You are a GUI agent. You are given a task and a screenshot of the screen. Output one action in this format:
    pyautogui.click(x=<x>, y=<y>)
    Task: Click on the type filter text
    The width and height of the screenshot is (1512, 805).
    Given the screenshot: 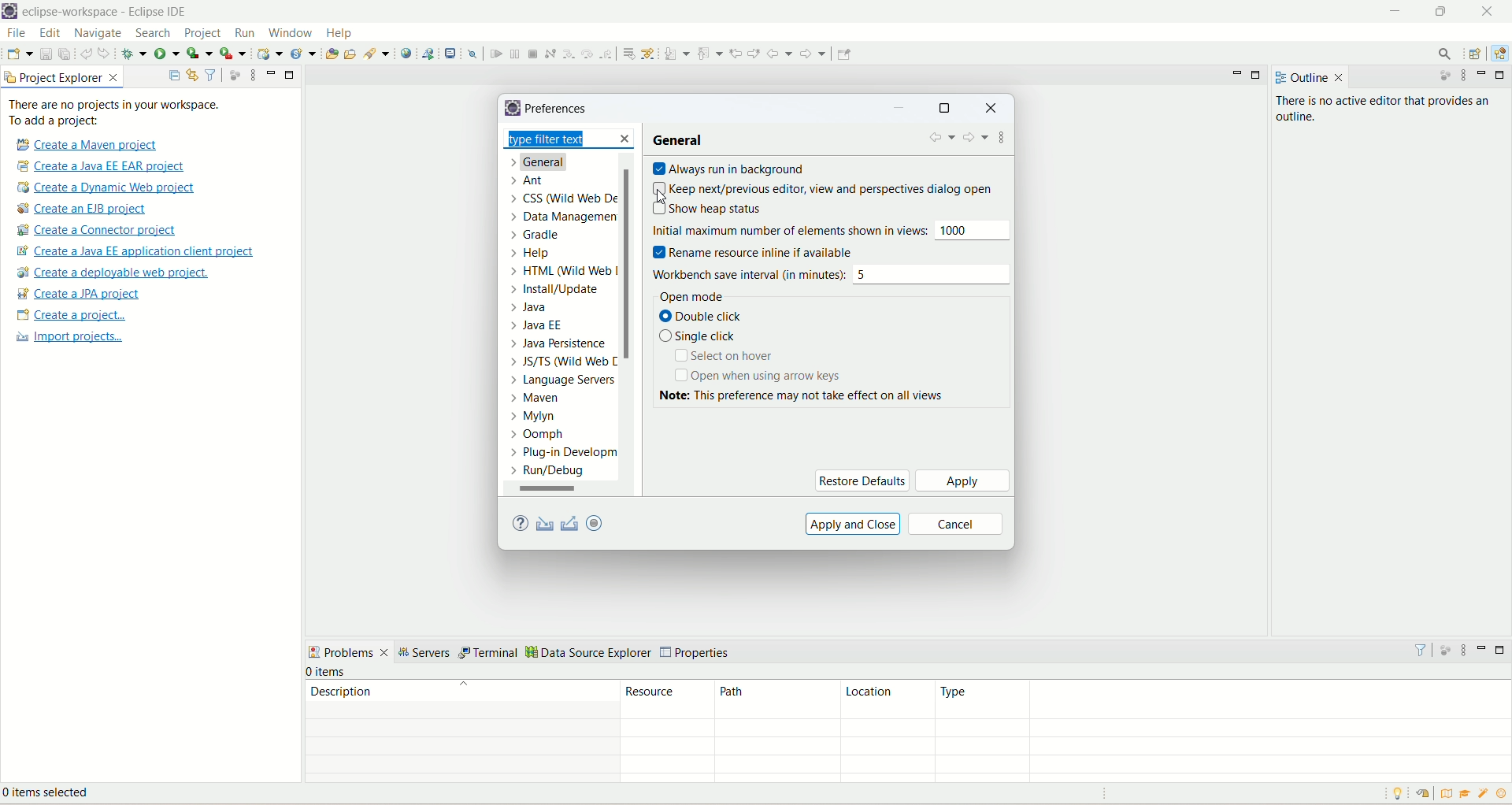 What is the action you would take?
    pyautogui.click(x=559, y=139)
    